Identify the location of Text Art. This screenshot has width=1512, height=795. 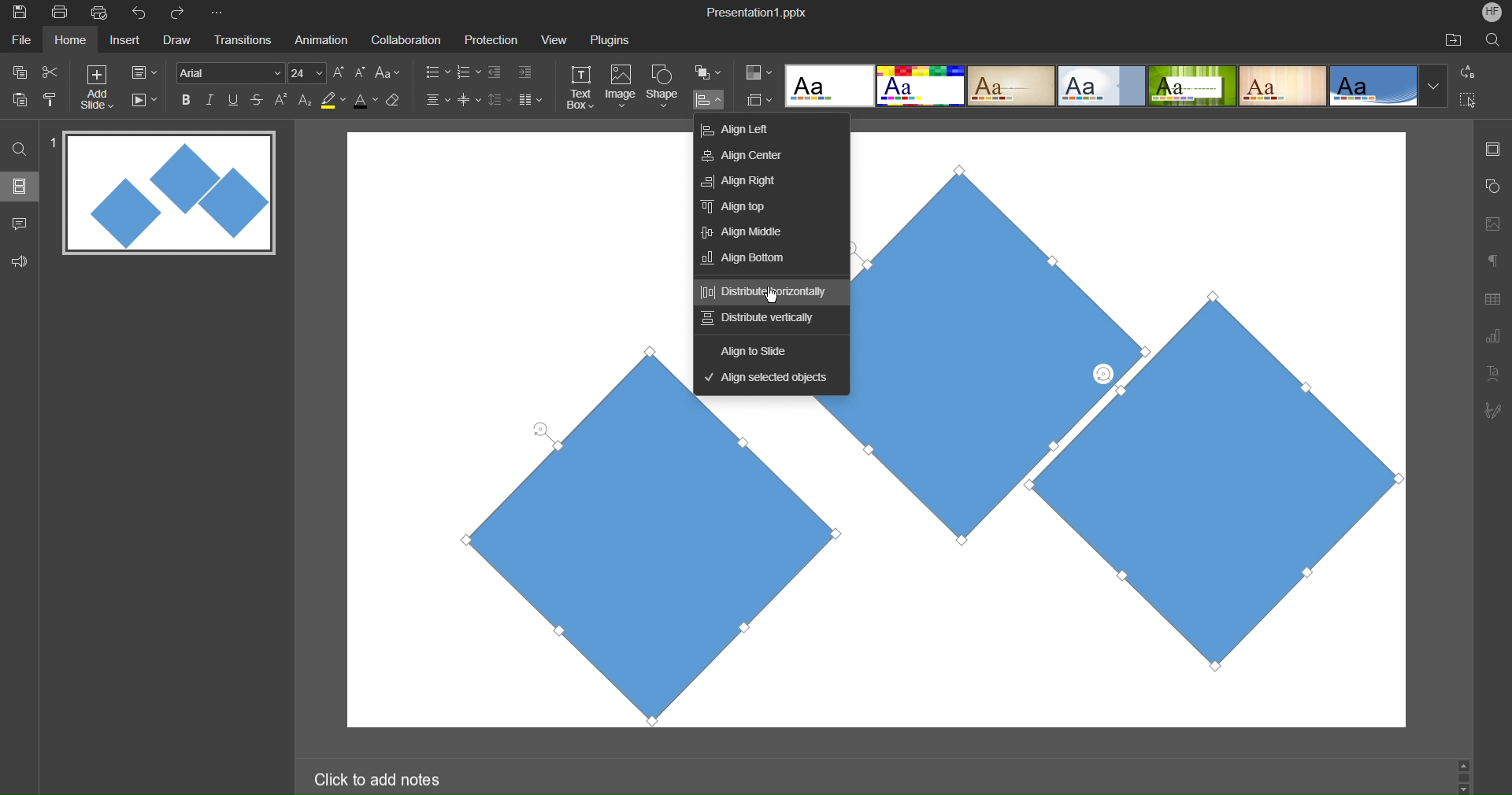
(1493, 372).